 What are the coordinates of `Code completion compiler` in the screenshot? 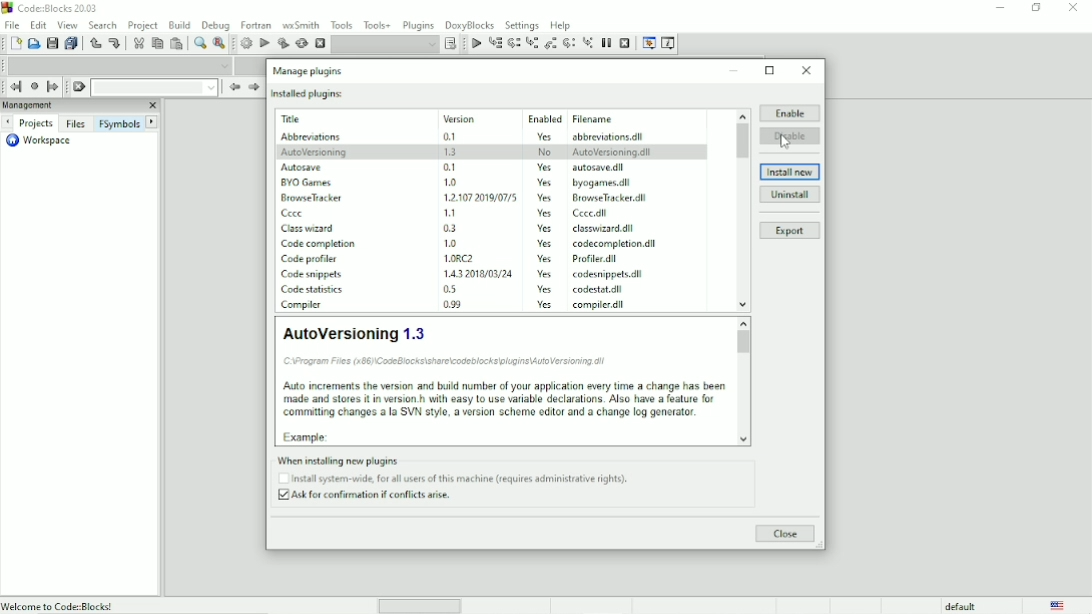 It's located at (120, 65).